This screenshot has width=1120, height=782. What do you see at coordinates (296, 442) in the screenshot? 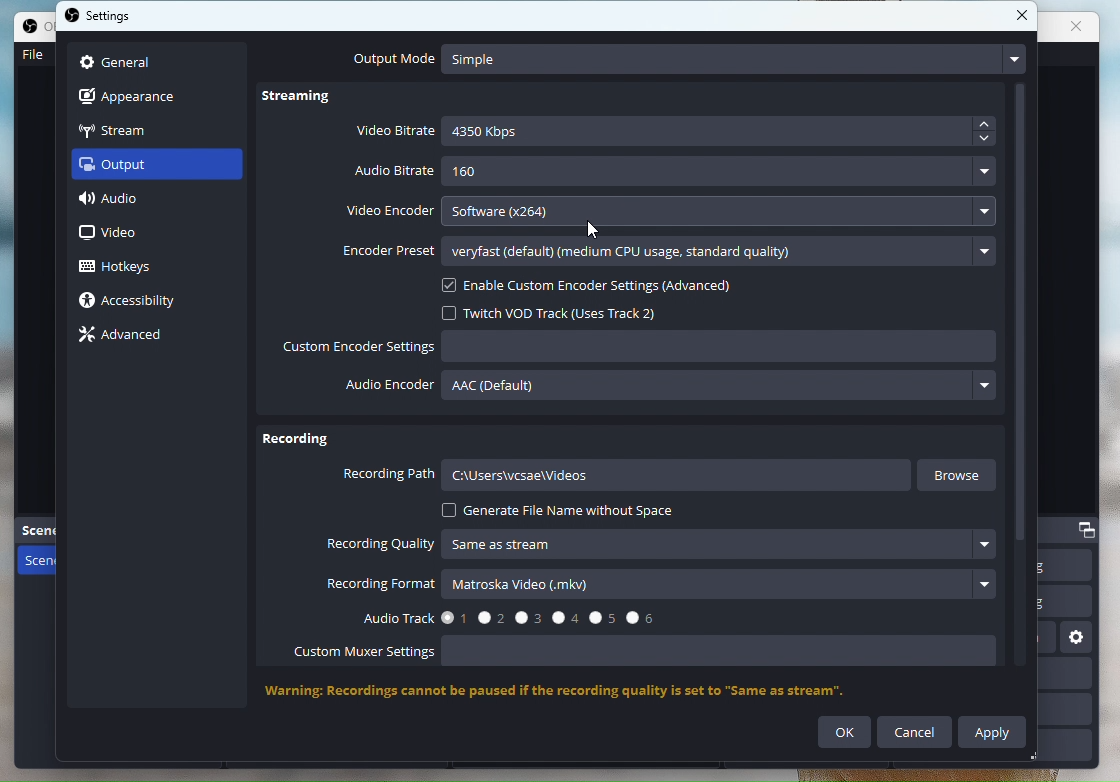
I see `Recording` at bounding box center [296, 442].